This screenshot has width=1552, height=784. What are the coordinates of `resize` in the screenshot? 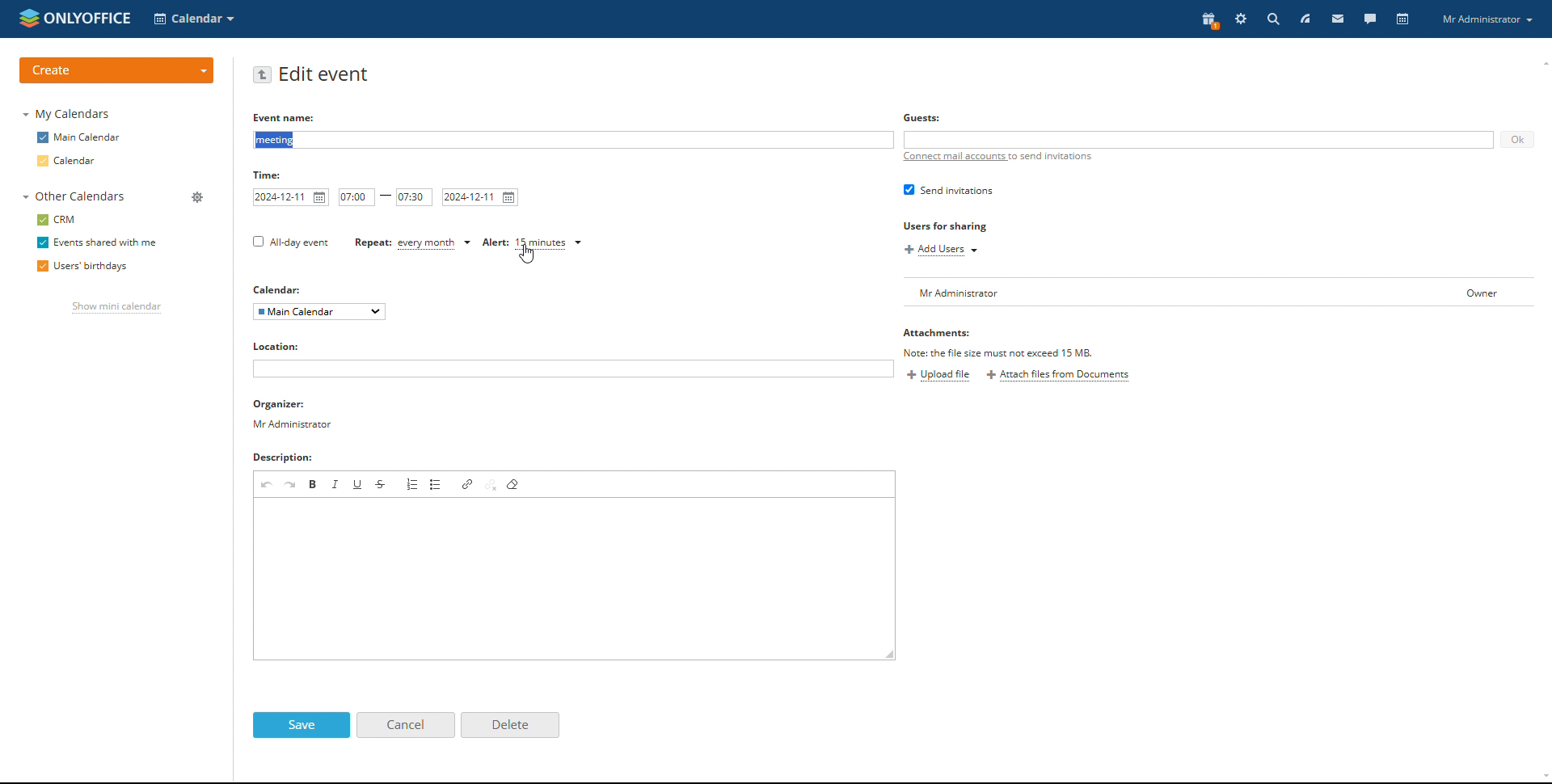 It's located at (890, 654).